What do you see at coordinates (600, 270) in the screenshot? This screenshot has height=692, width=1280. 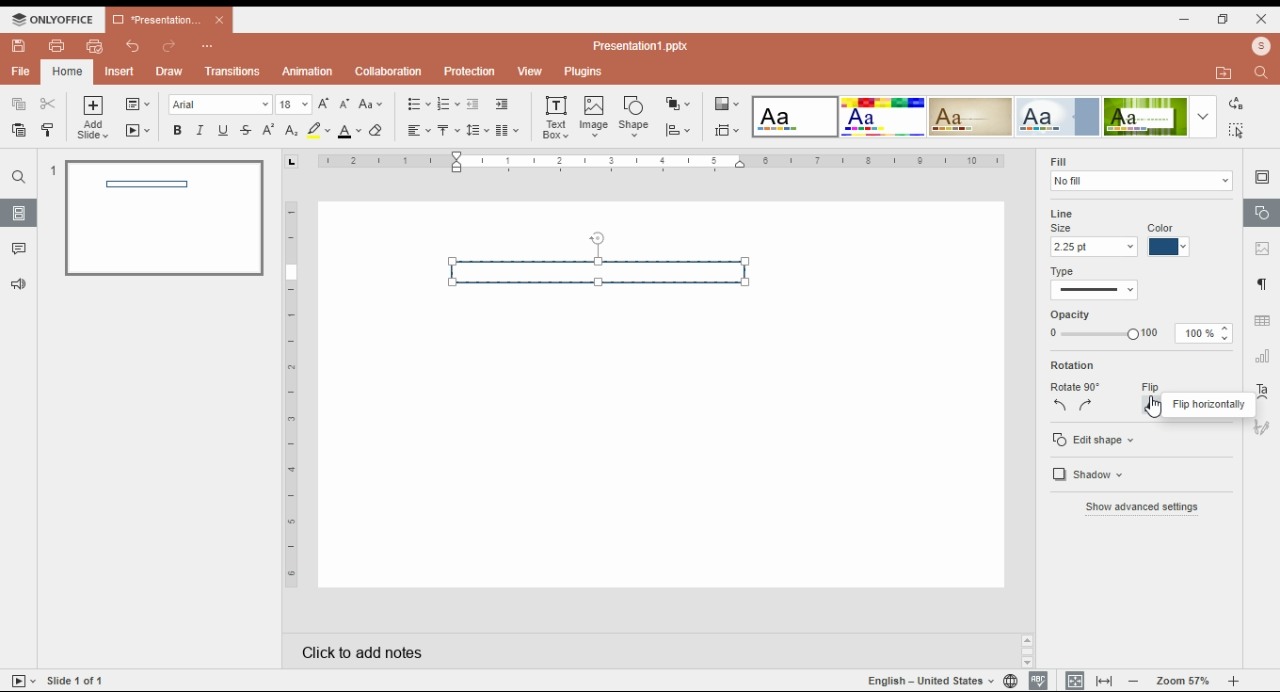 I see `textbox with border` at bounding box center [600, 270].